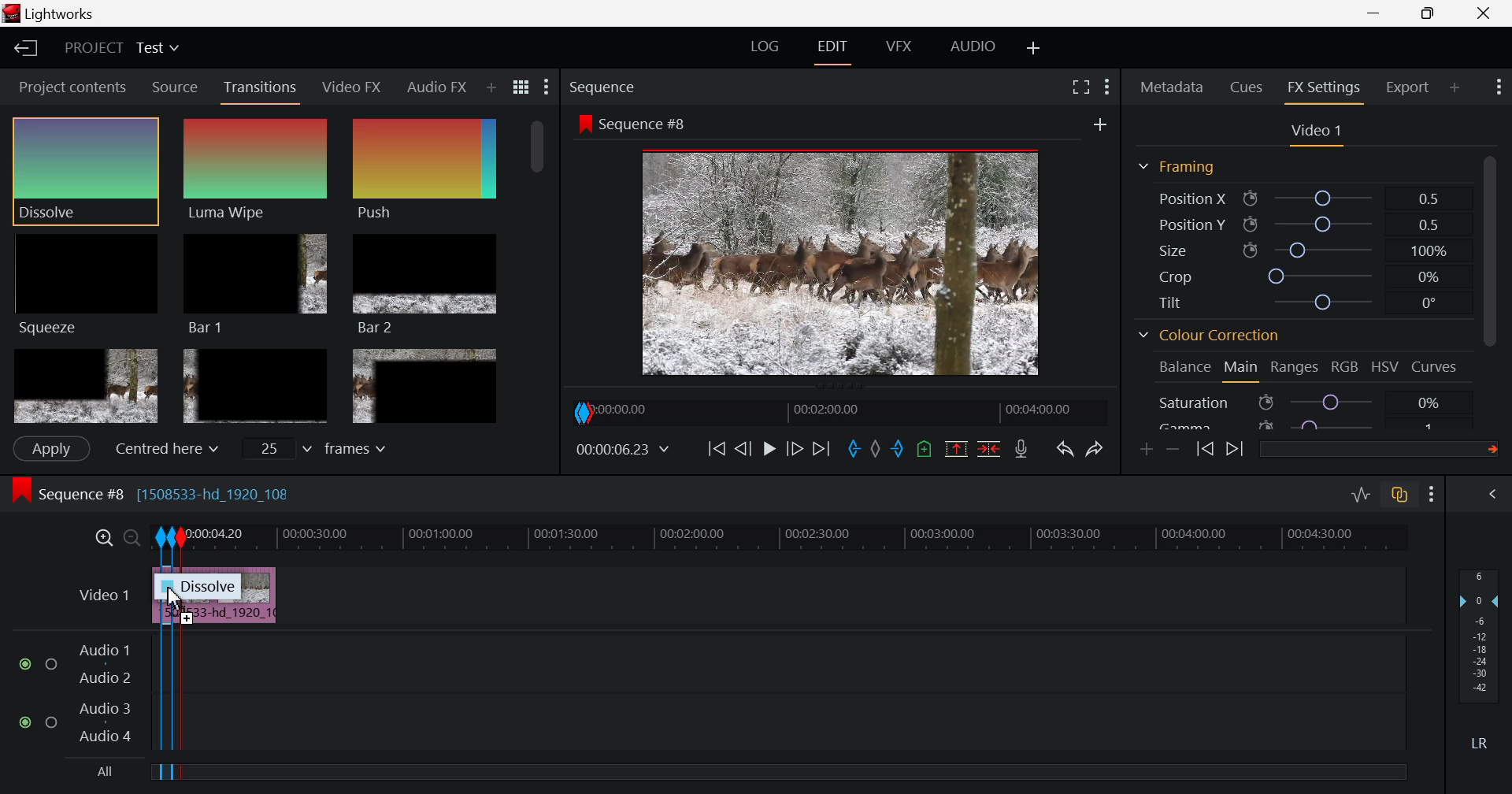 Image resolution: width=1512 pixels, height=794 pixels. I want to click on Dissolve, so click(195, 591).